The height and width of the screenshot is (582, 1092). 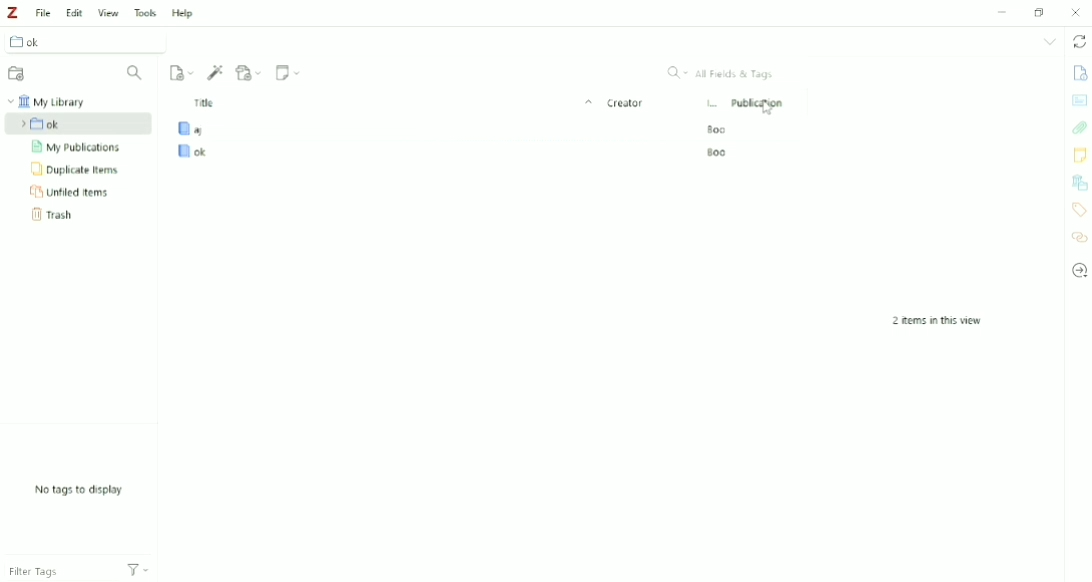 What do you see at coordinates (458, 152) in the screenshot?
I see `Book ok` at bounding box center [458, 152].